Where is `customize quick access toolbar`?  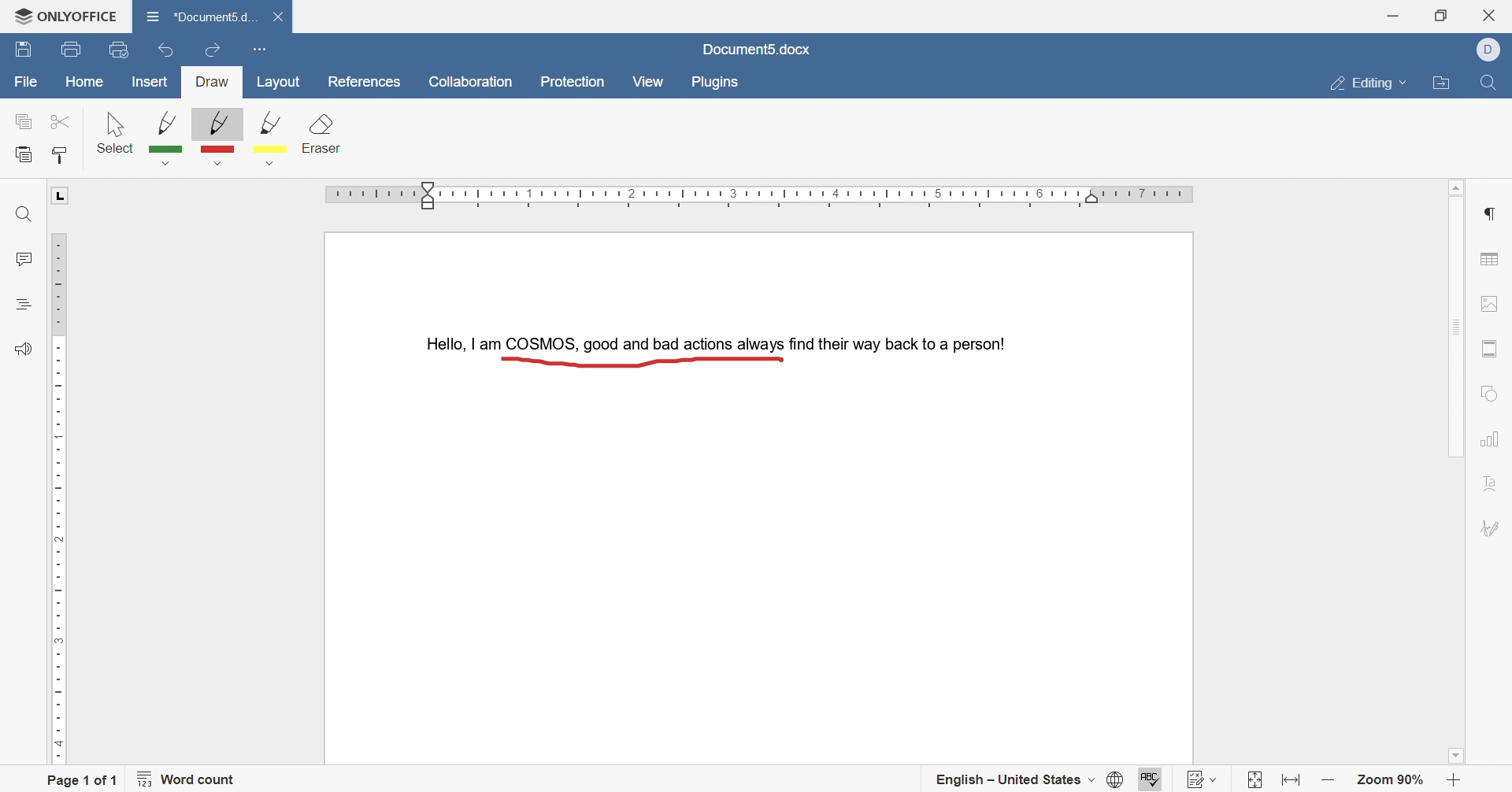
customize quick access toolbar is located at coordinates (258, 47).